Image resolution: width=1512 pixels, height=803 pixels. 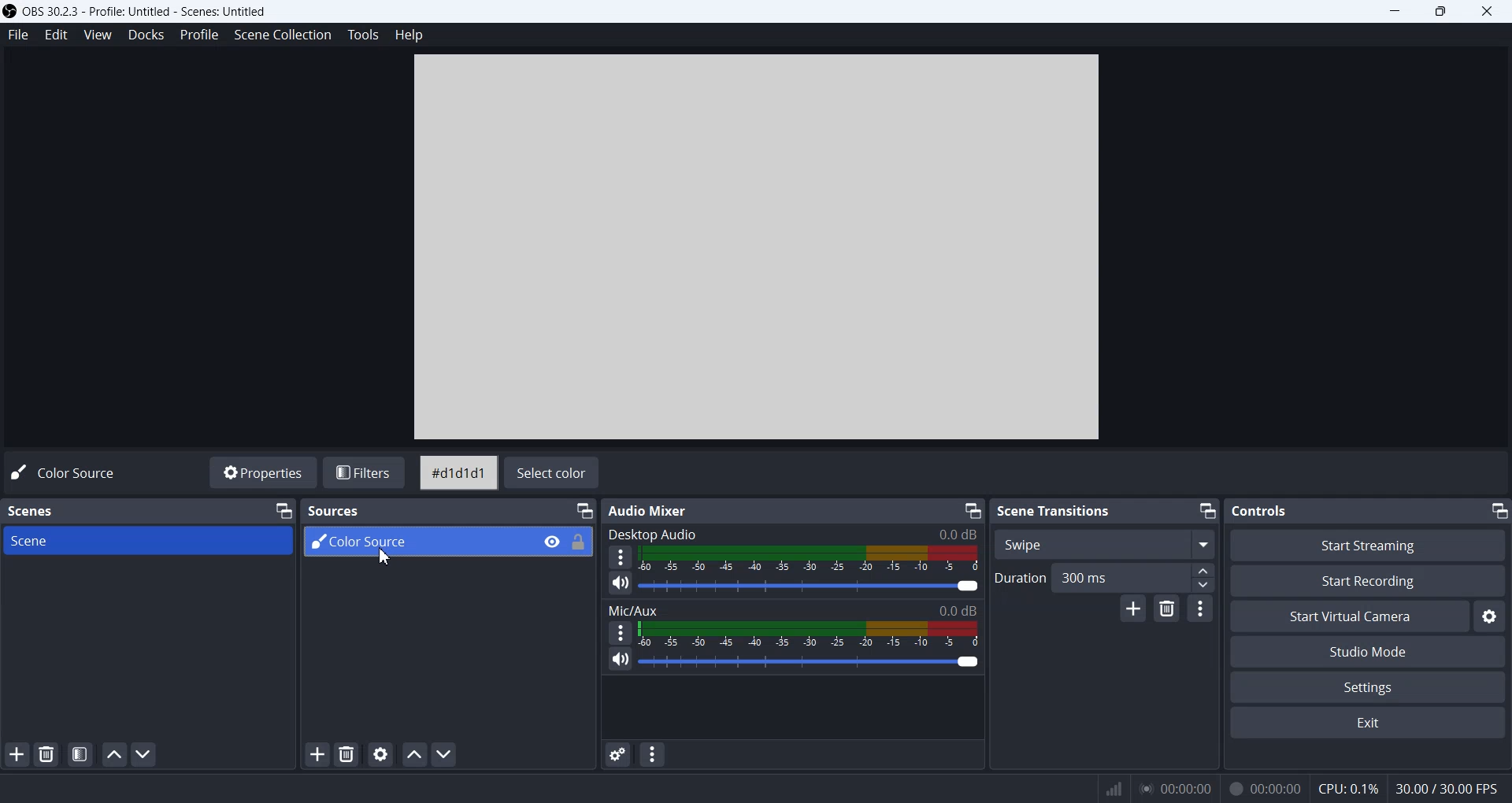 I want to click on Color Source, so click(x=415, y=542).